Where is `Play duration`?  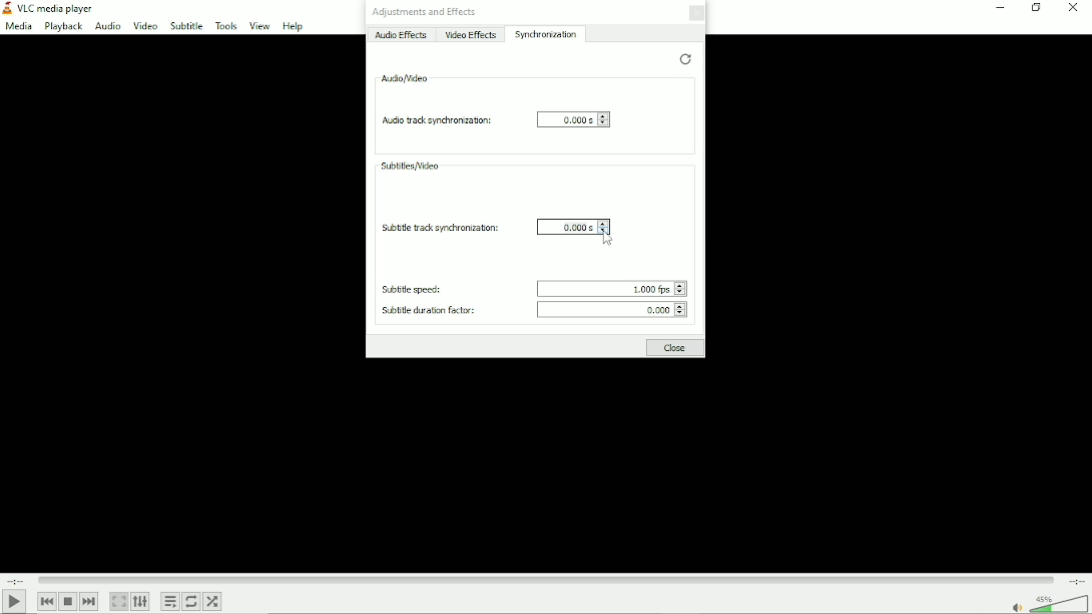 Play duration is located at coordinates (545, 578).